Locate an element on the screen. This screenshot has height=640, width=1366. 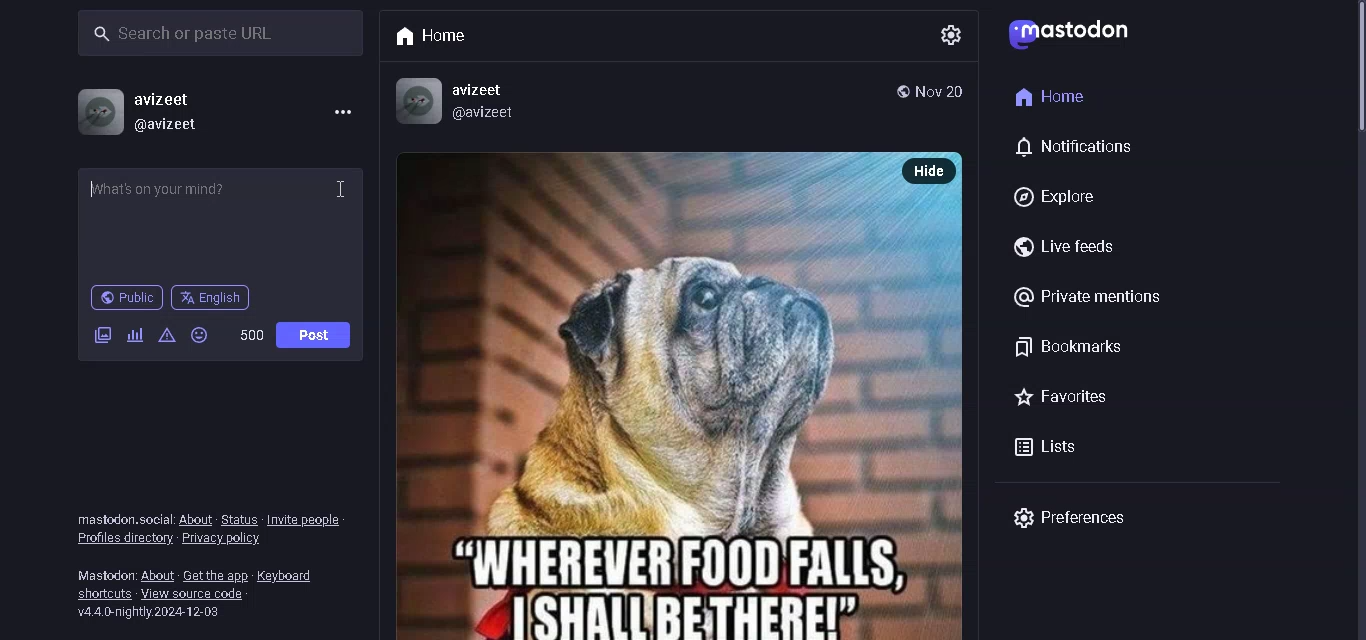
explore is located at coordinates (1063, 193).